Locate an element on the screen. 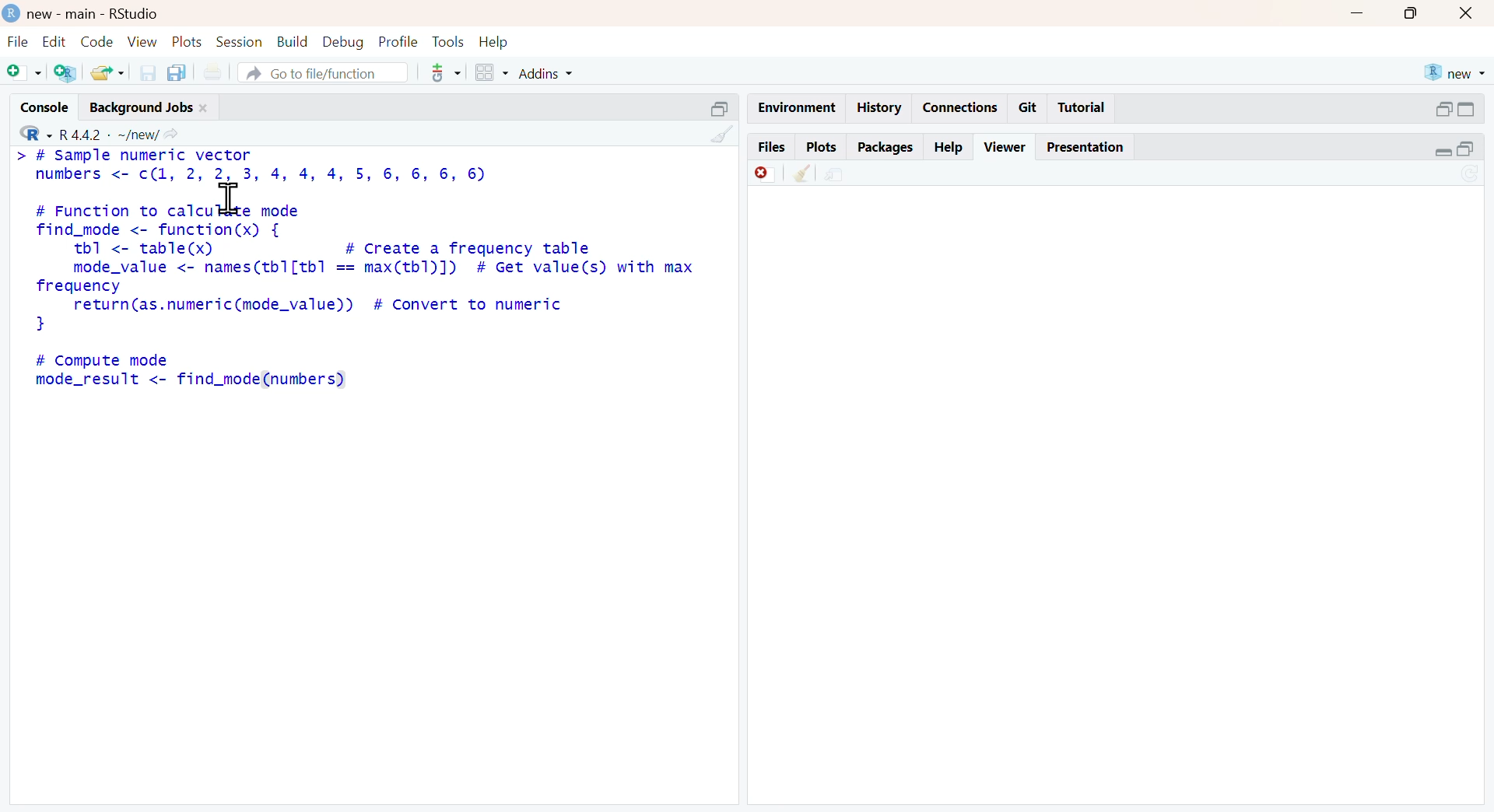 The width and height of the screenshot is (1494, 812). sync is located at coordinates (1471, 176).